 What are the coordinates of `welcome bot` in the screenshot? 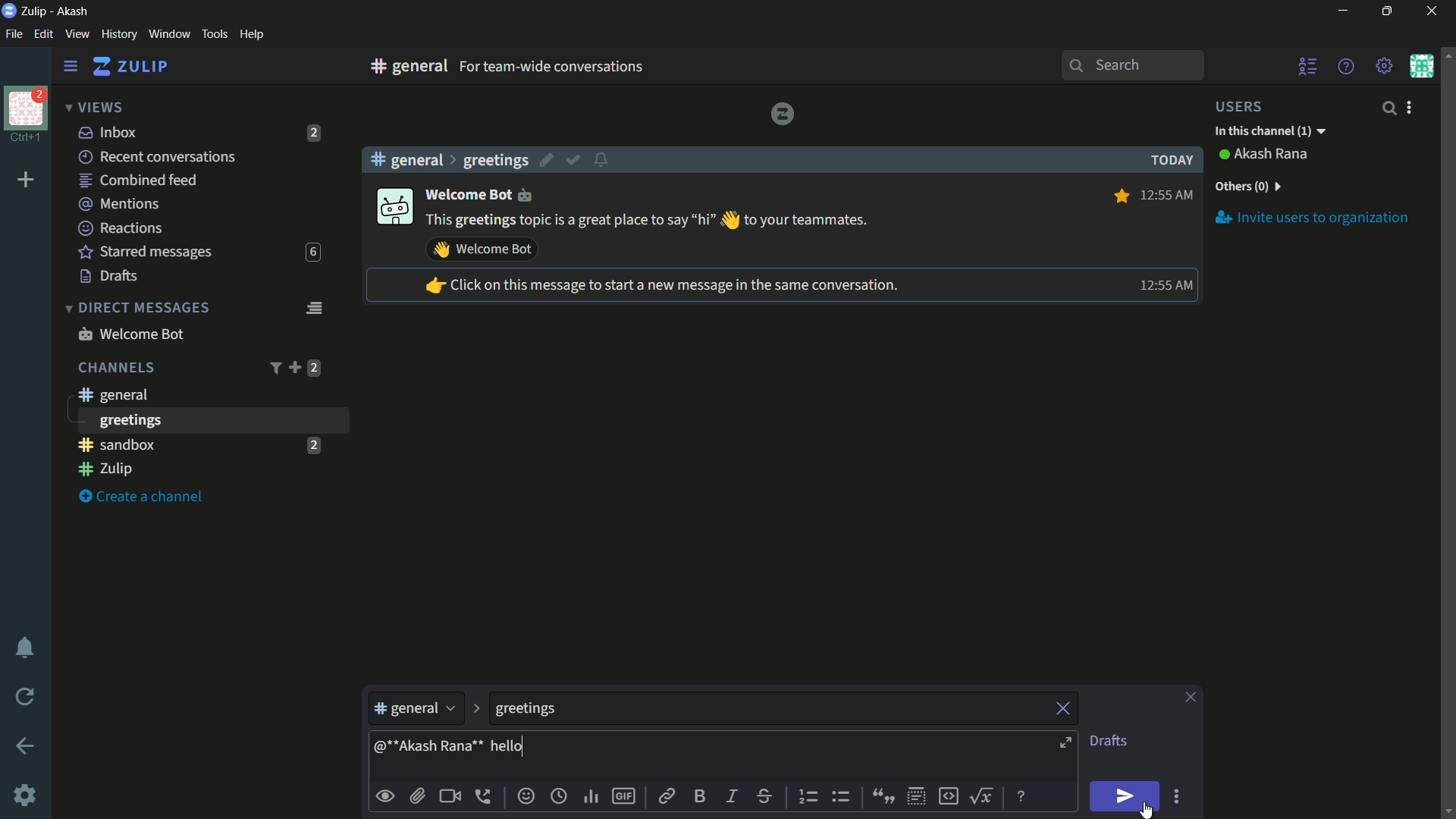 It's located at (130, 334).